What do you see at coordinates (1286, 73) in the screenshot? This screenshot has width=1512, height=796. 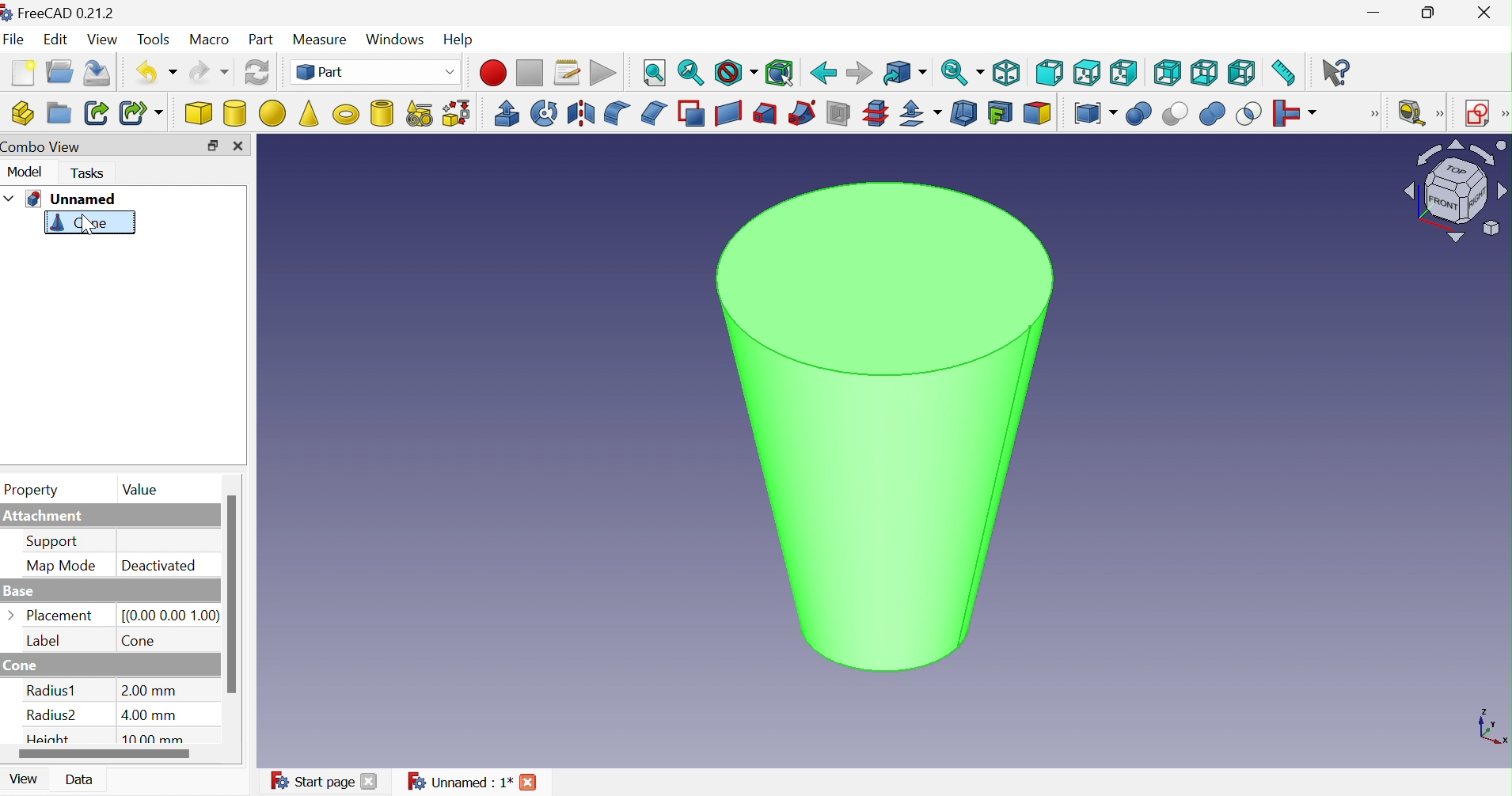 I see `Measure distance` at bounding box center [1286, 73].